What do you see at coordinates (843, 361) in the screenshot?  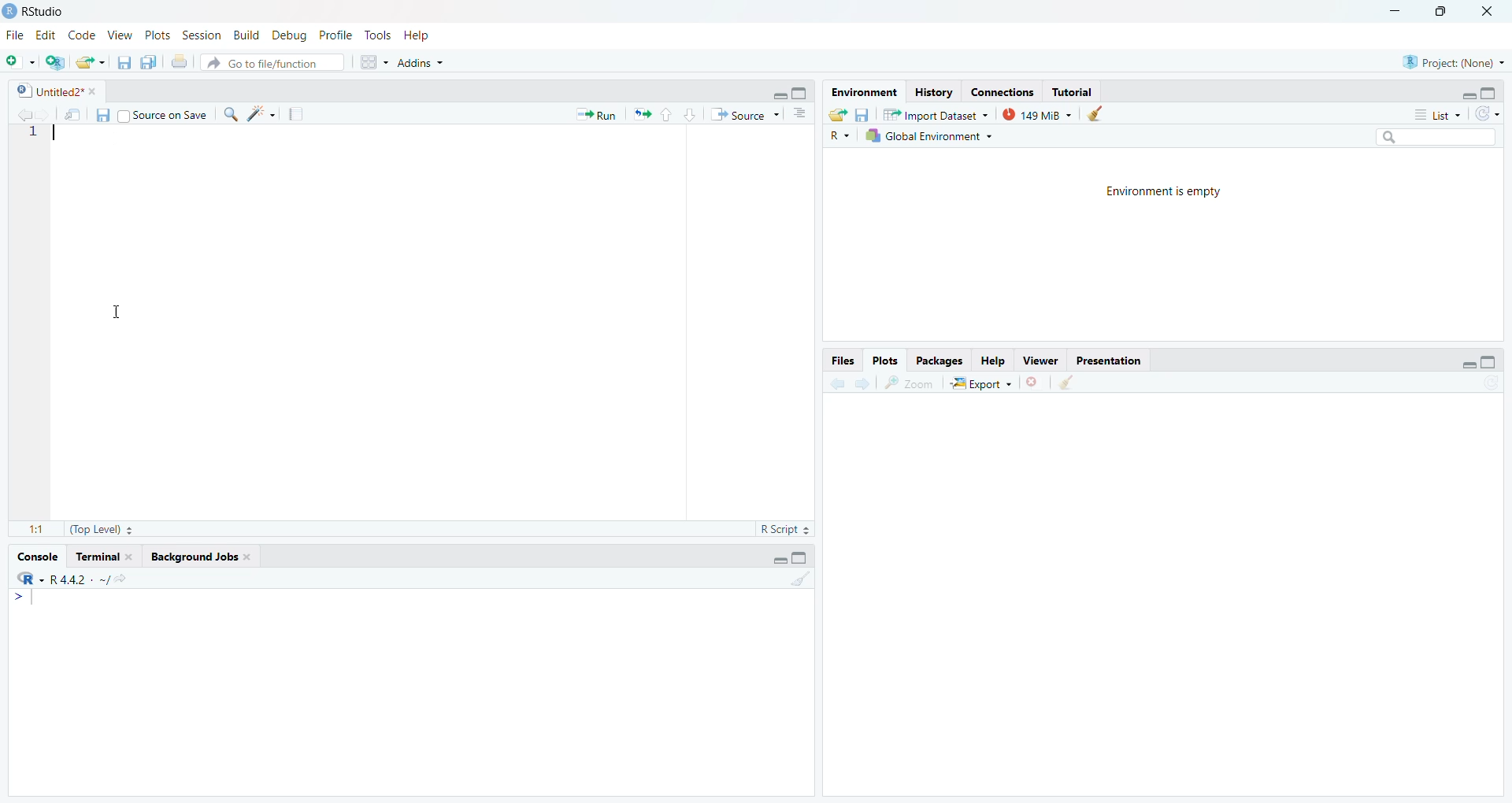 I see `Files` at bounding box center [843, 361].